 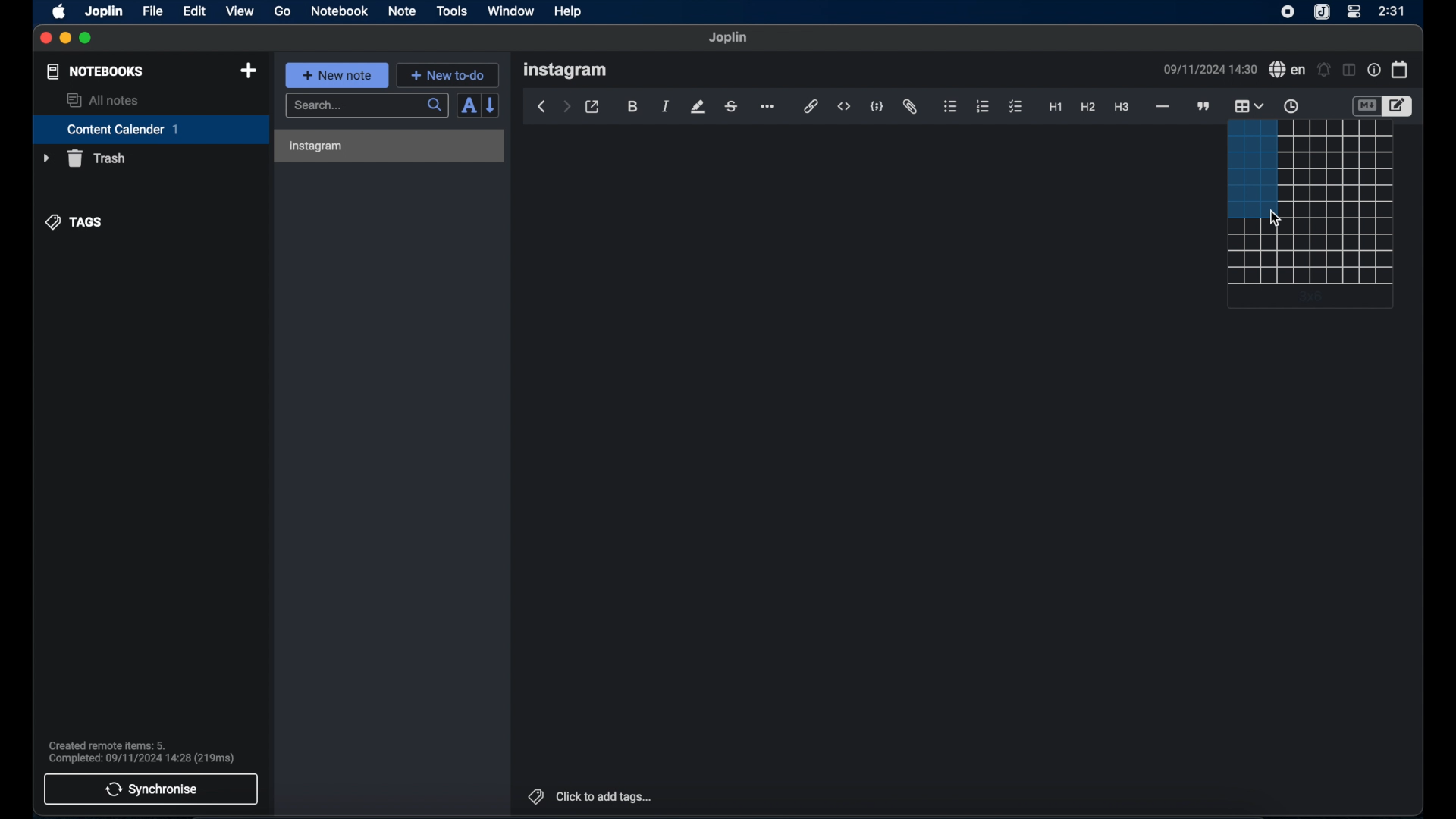 What do you see at coordinates (1203, 106) in the screenshot?
I see `block quote` at bounding box center [1203, 106].